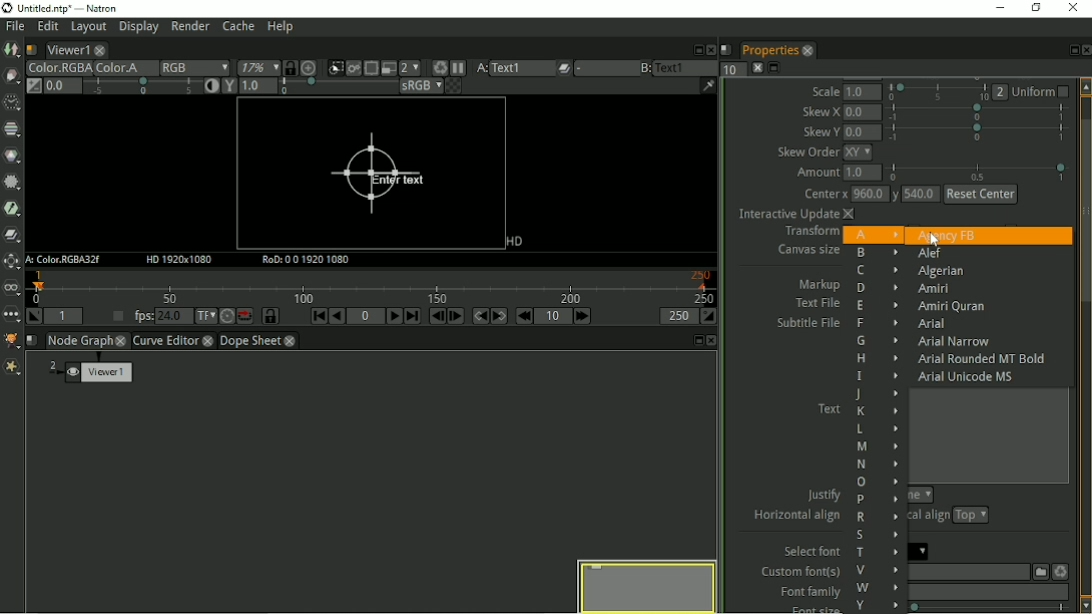  What do you see at coordinates (815, 175) in the screenshot?
I see `Amount` at bounding box center [815, 175].